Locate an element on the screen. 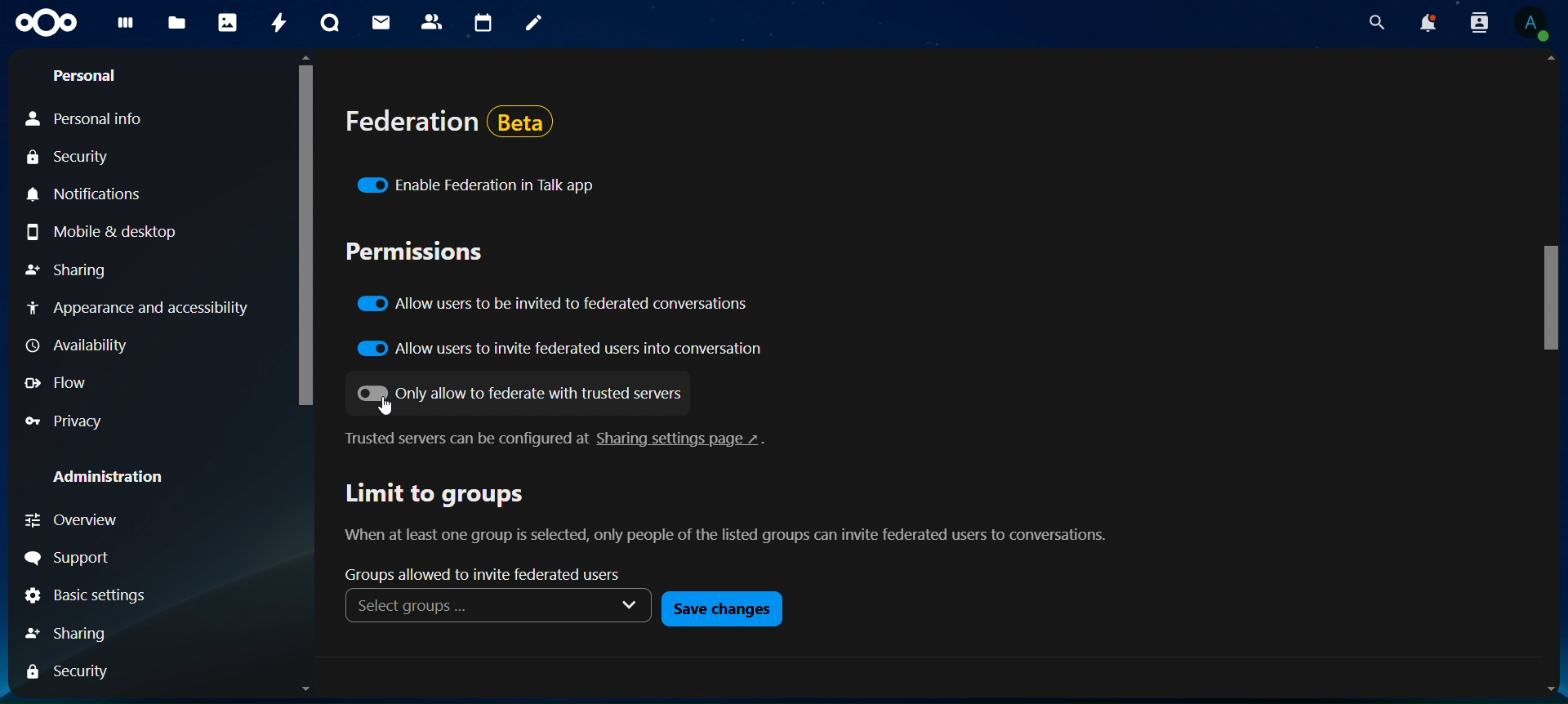  search contacts is located at coordinates (1477, 23).